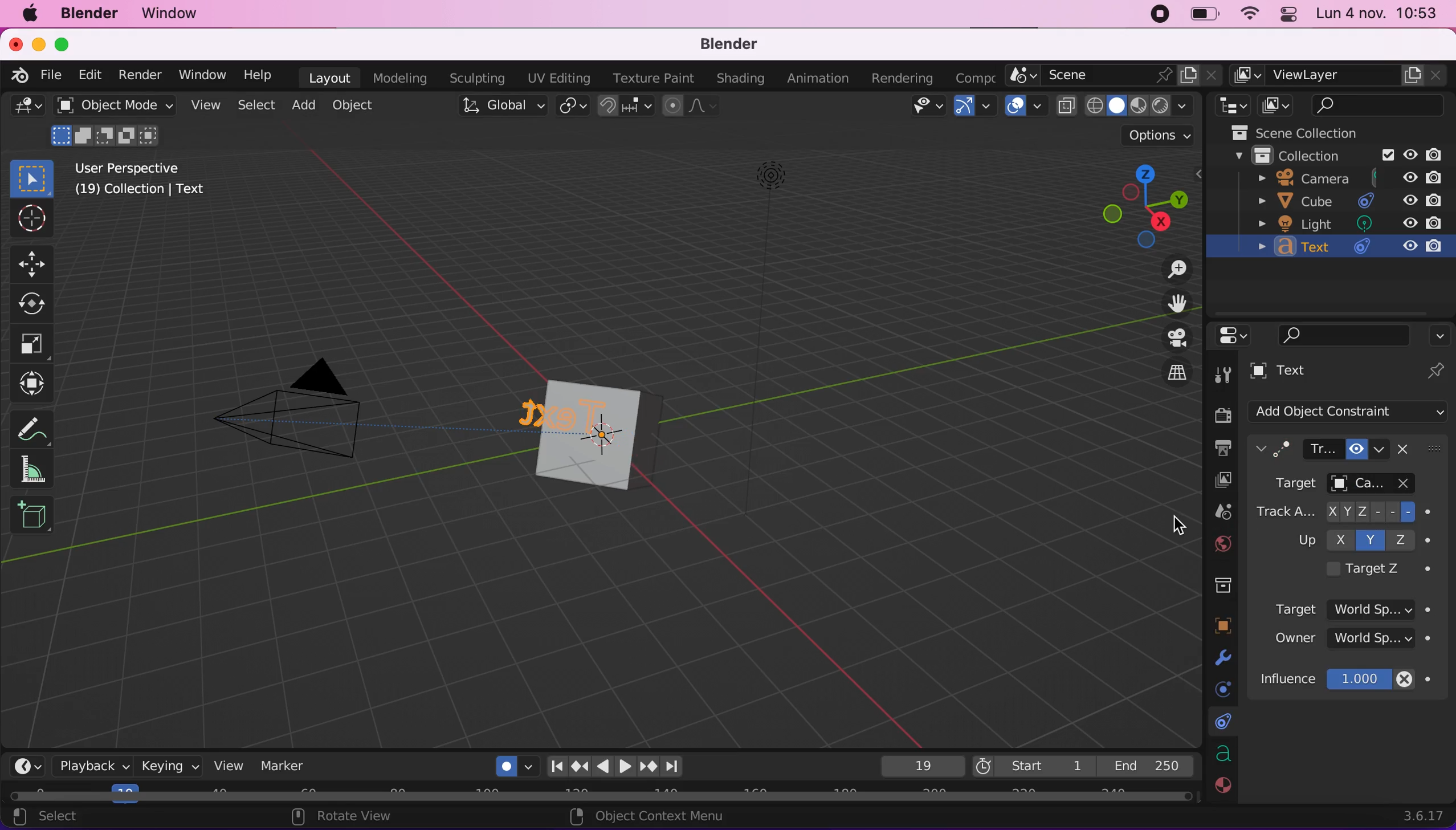 Image resolution: width=1456 pixels, height=830 pixels. What do you see at coordinates (1113, 76) in the screenshot?
I see `scene` at bounding box center [1113, 76].